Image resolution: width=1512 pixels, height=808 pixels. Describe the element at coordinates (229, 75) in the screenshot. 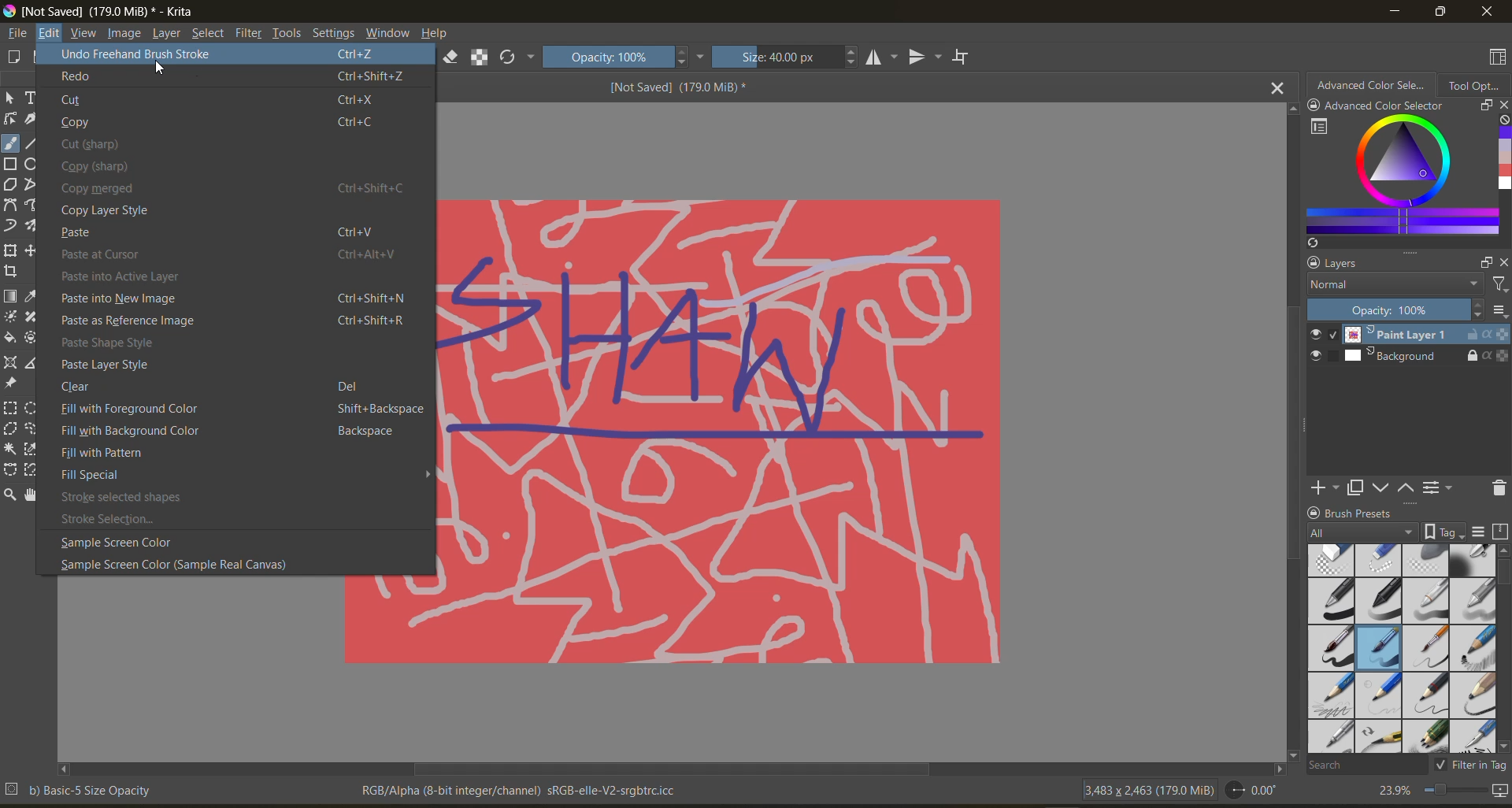

I see `redo   Ctrl+Shift+Z` at that location.